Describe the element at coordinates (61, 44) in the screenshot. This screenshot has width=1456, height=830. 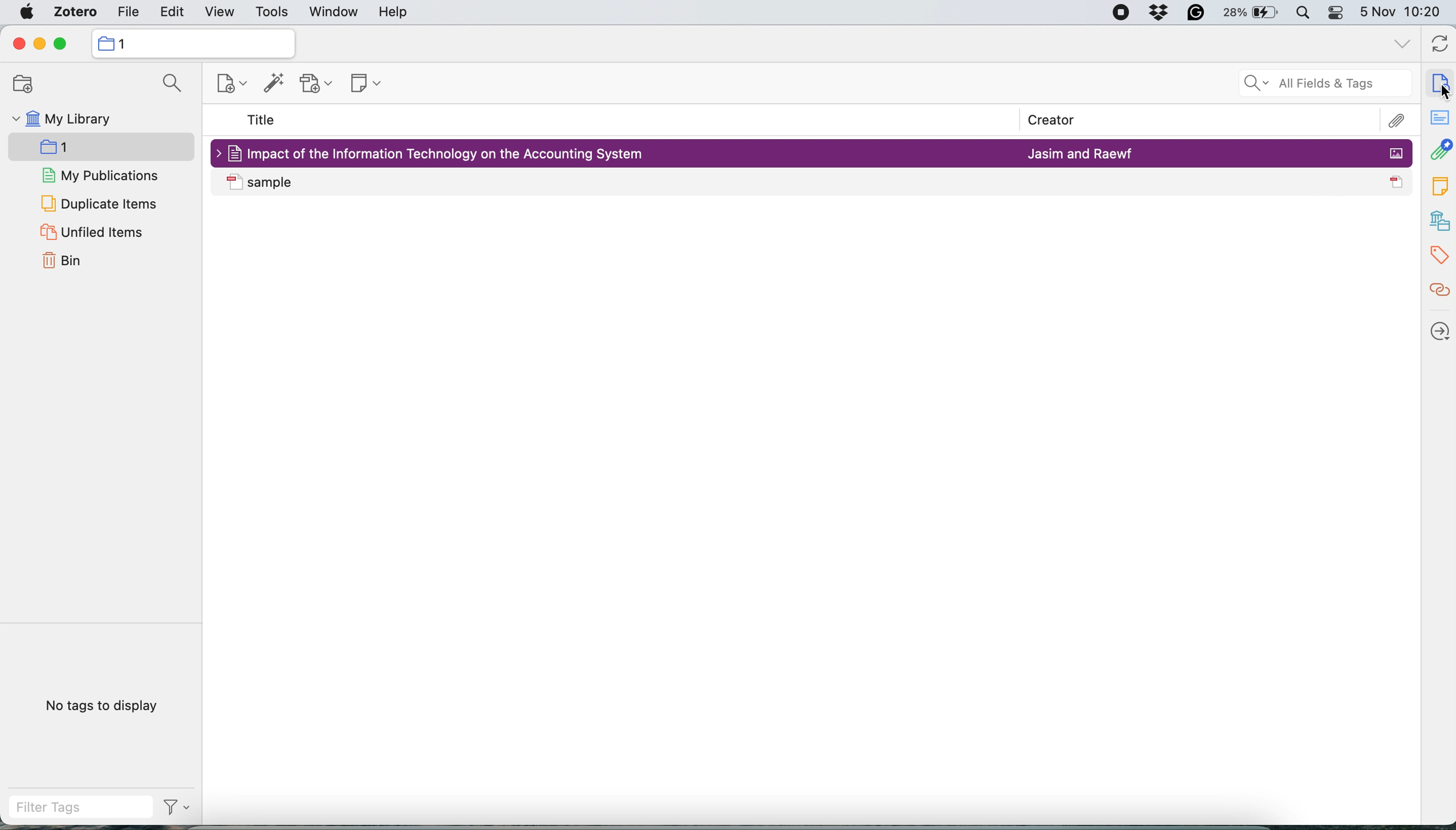
I see `maximise` at that location.